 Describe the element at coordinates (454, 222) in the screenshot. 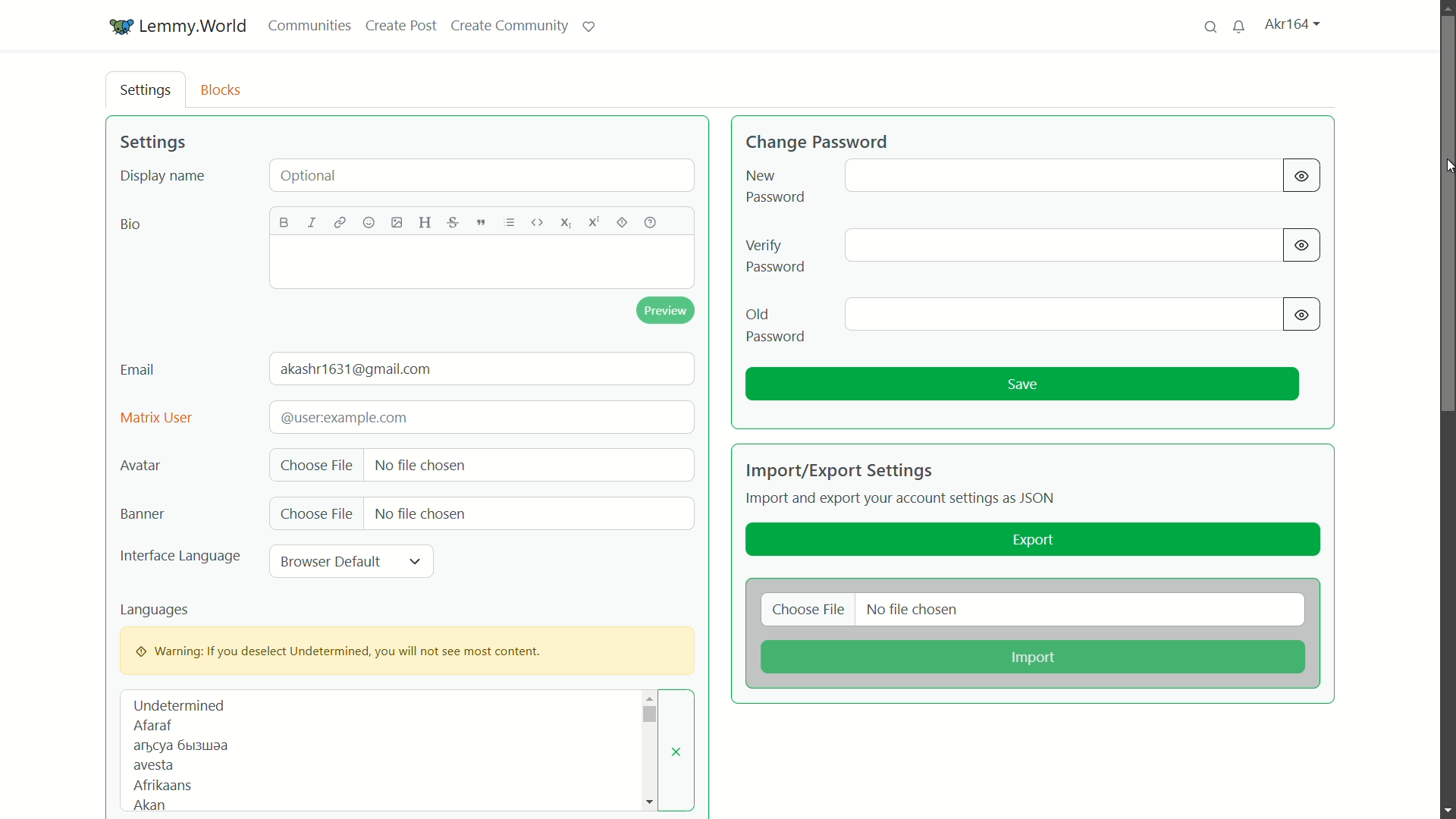

I see `strikethrough` at that location.